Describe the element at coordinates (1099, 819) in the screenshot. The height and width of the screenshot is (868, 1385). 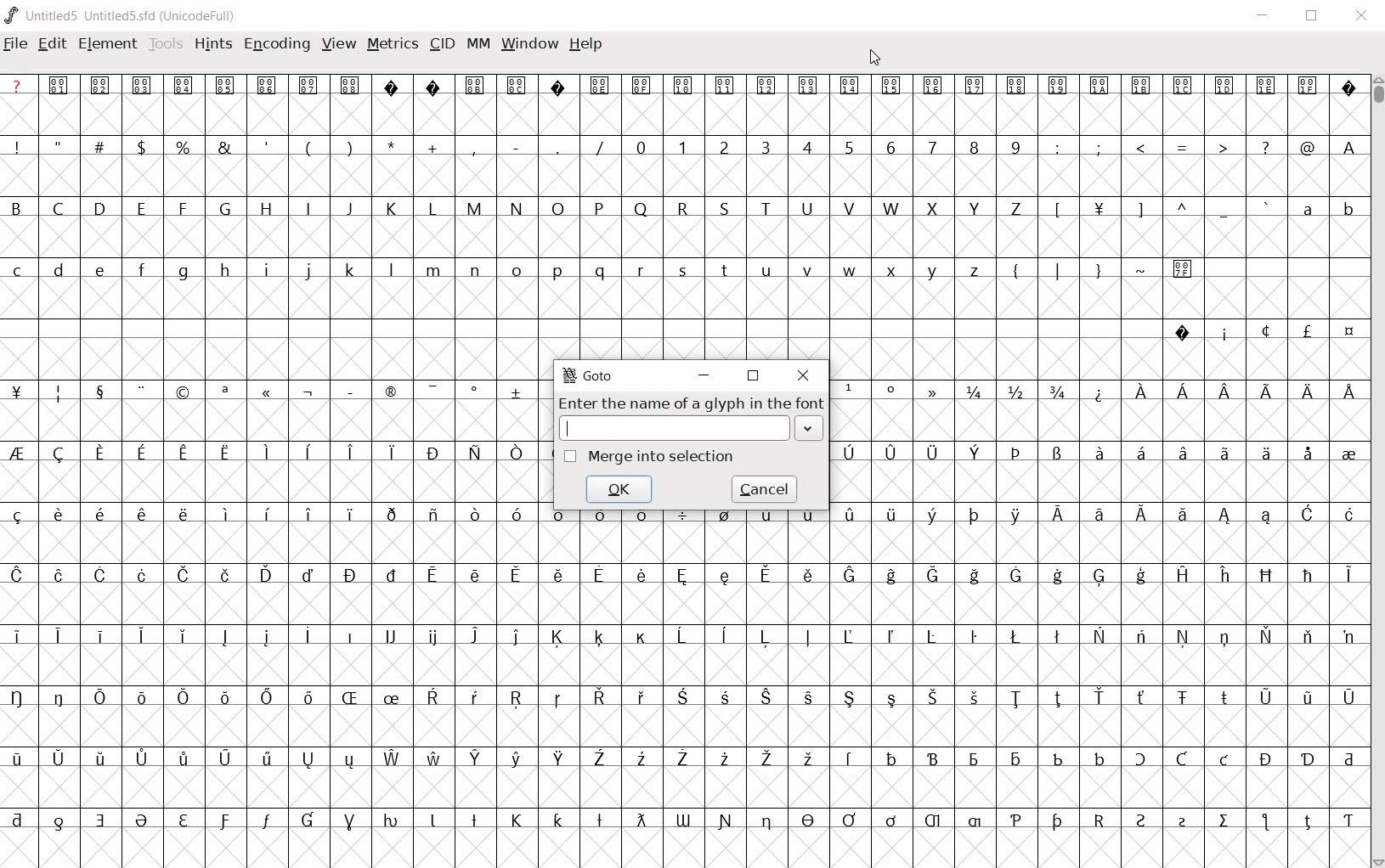
I see `Symbol` at that location.